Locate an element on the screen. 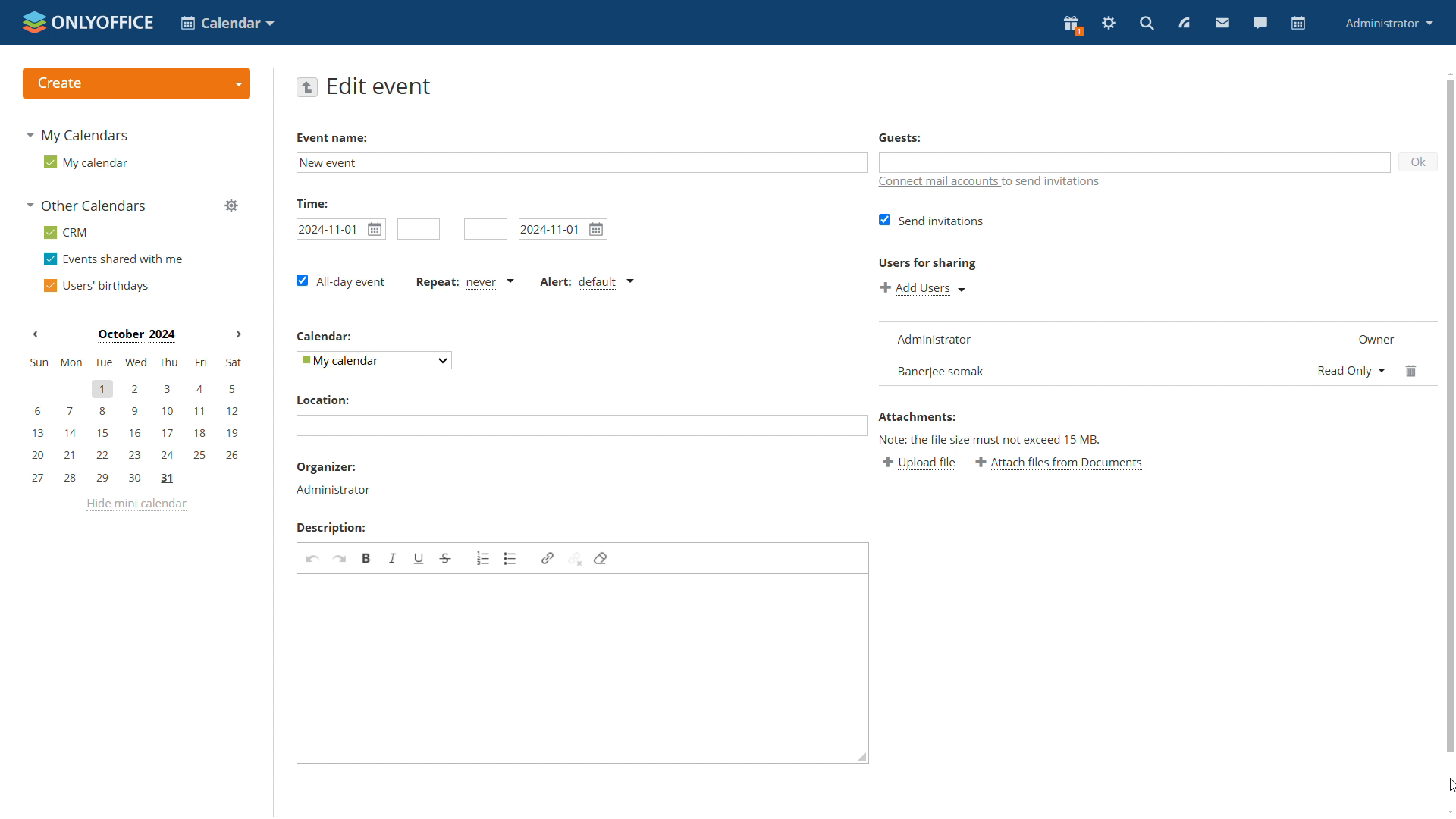 The image size is (1456, 819). new user added is located at coordinates (1089, 369).